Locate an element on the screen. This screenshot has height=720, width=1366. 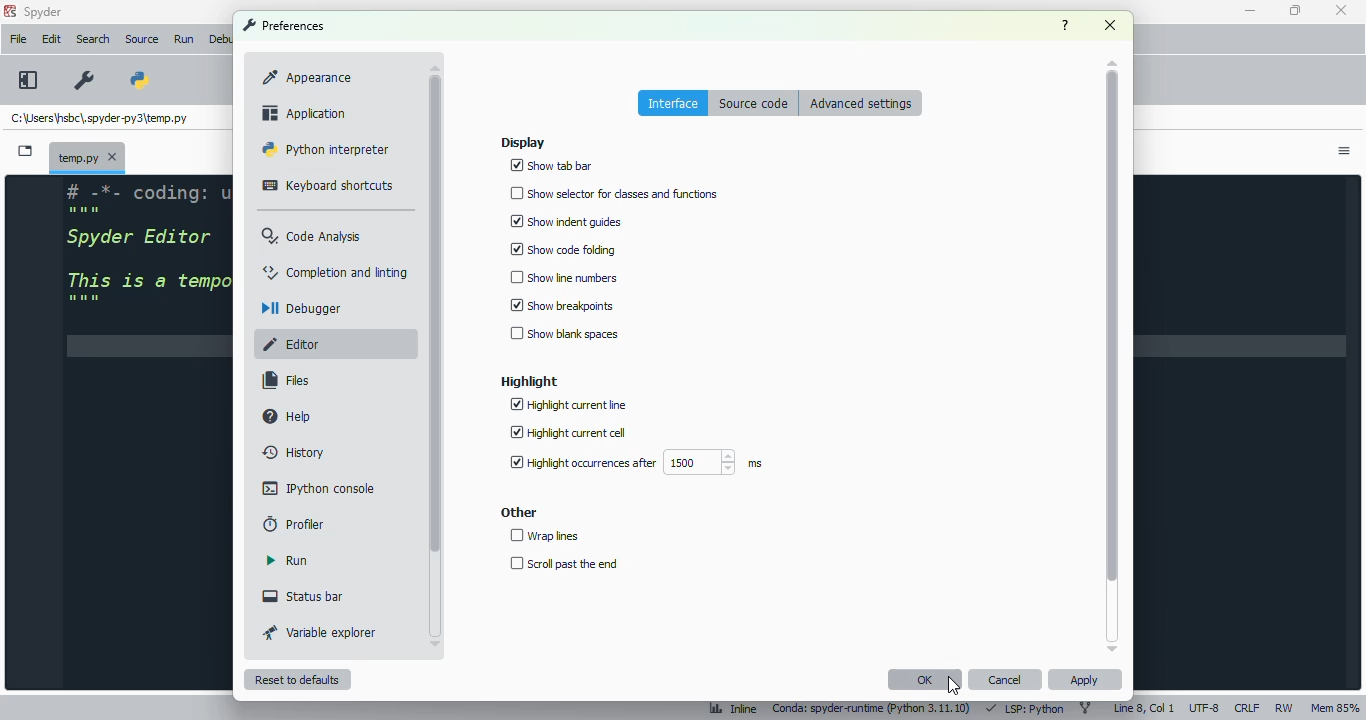
show code folding is located at coordinates (562, 250).